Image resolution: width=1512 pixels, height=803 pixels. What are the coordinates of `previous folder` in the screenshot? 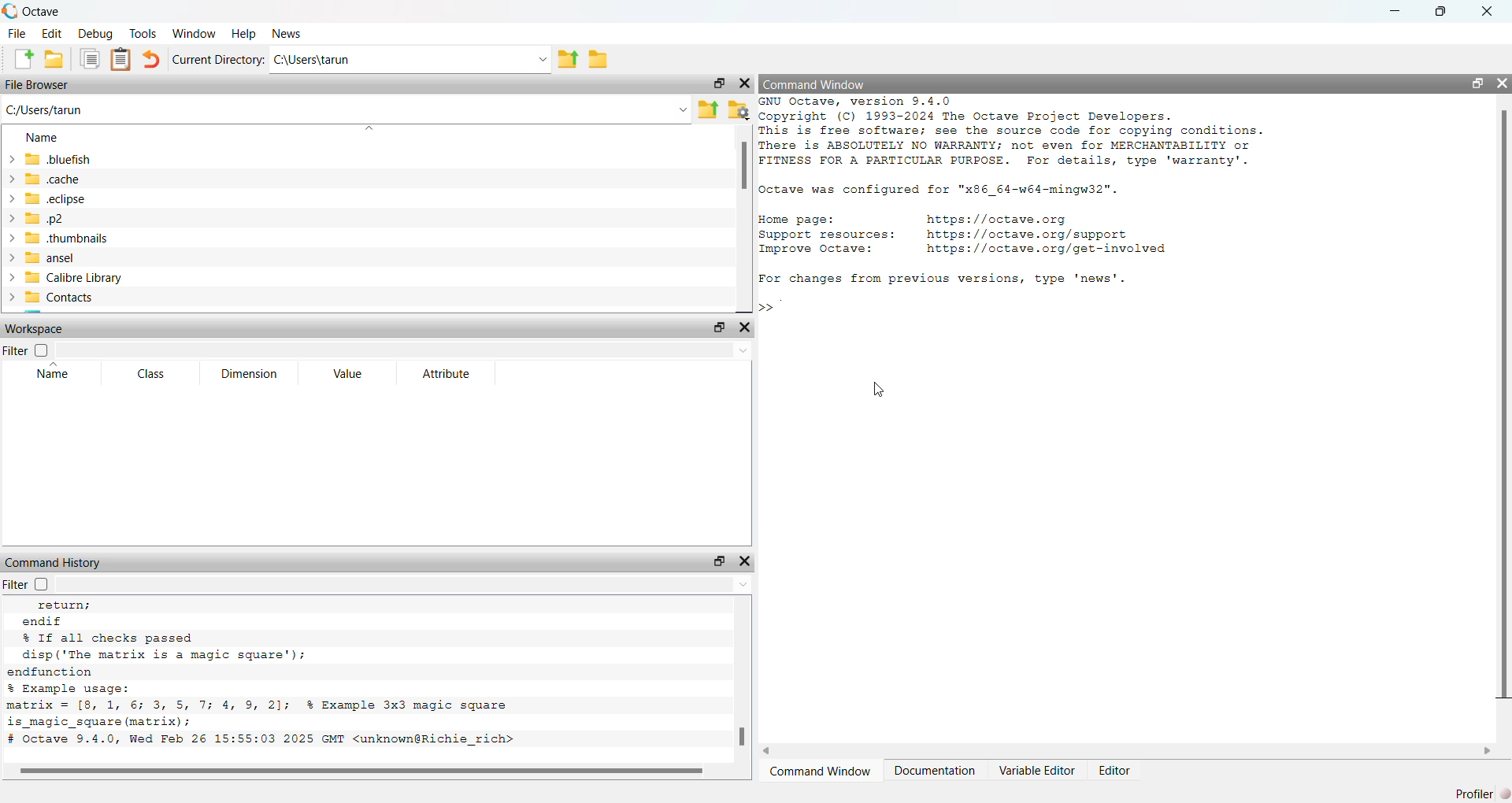 It's located at (567, 61).